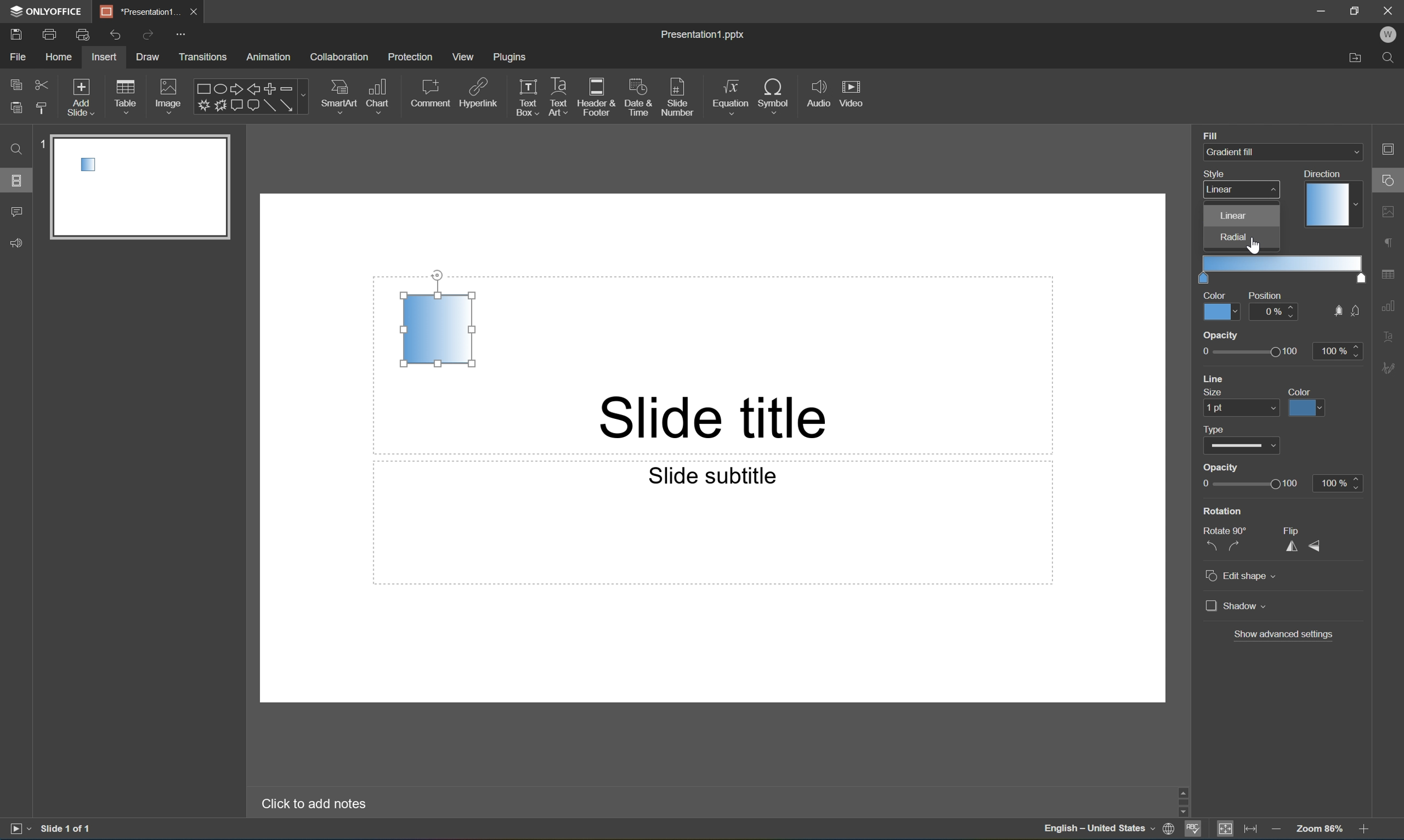 This screenshot has height=840, width=1404. What do you see at coordinates (169, 95) in the screenshot?
I see `Image` at bounding box center [169, 95].